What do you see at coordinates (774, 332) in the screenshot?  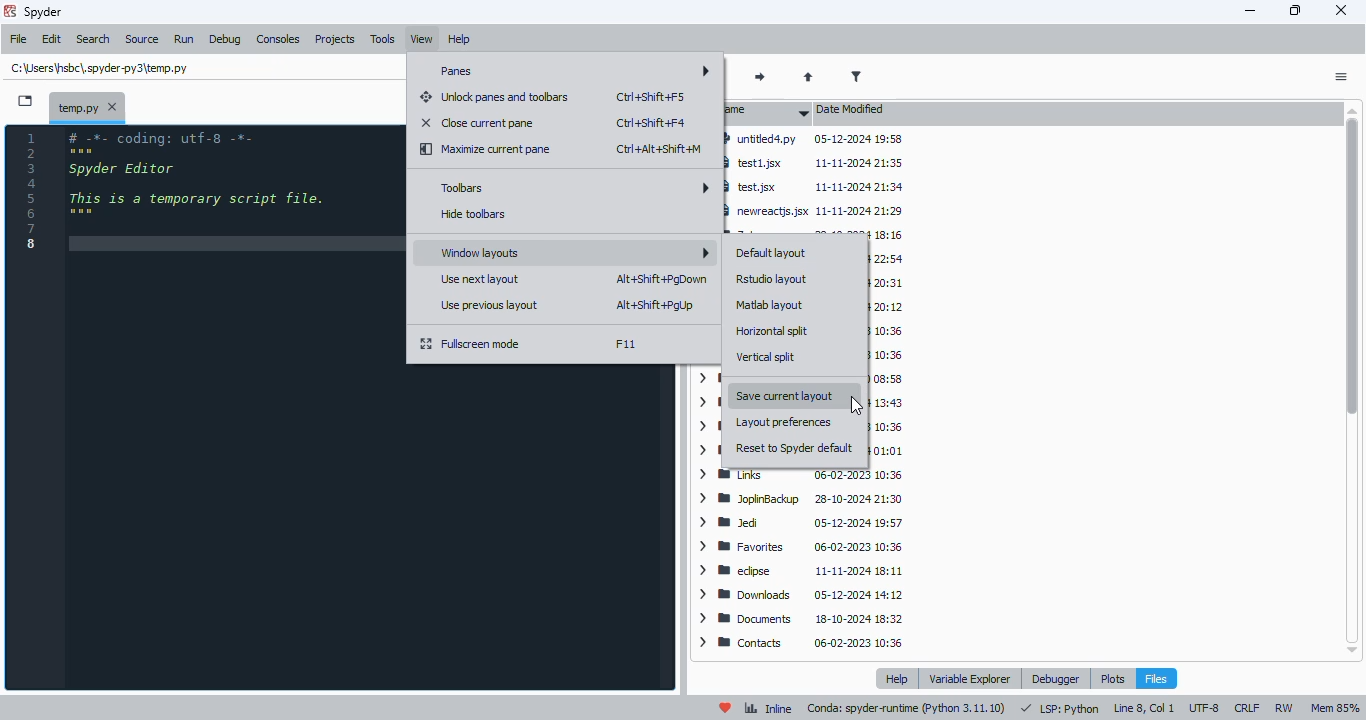 I see `horizontal split` at bounding box center [774, 332].